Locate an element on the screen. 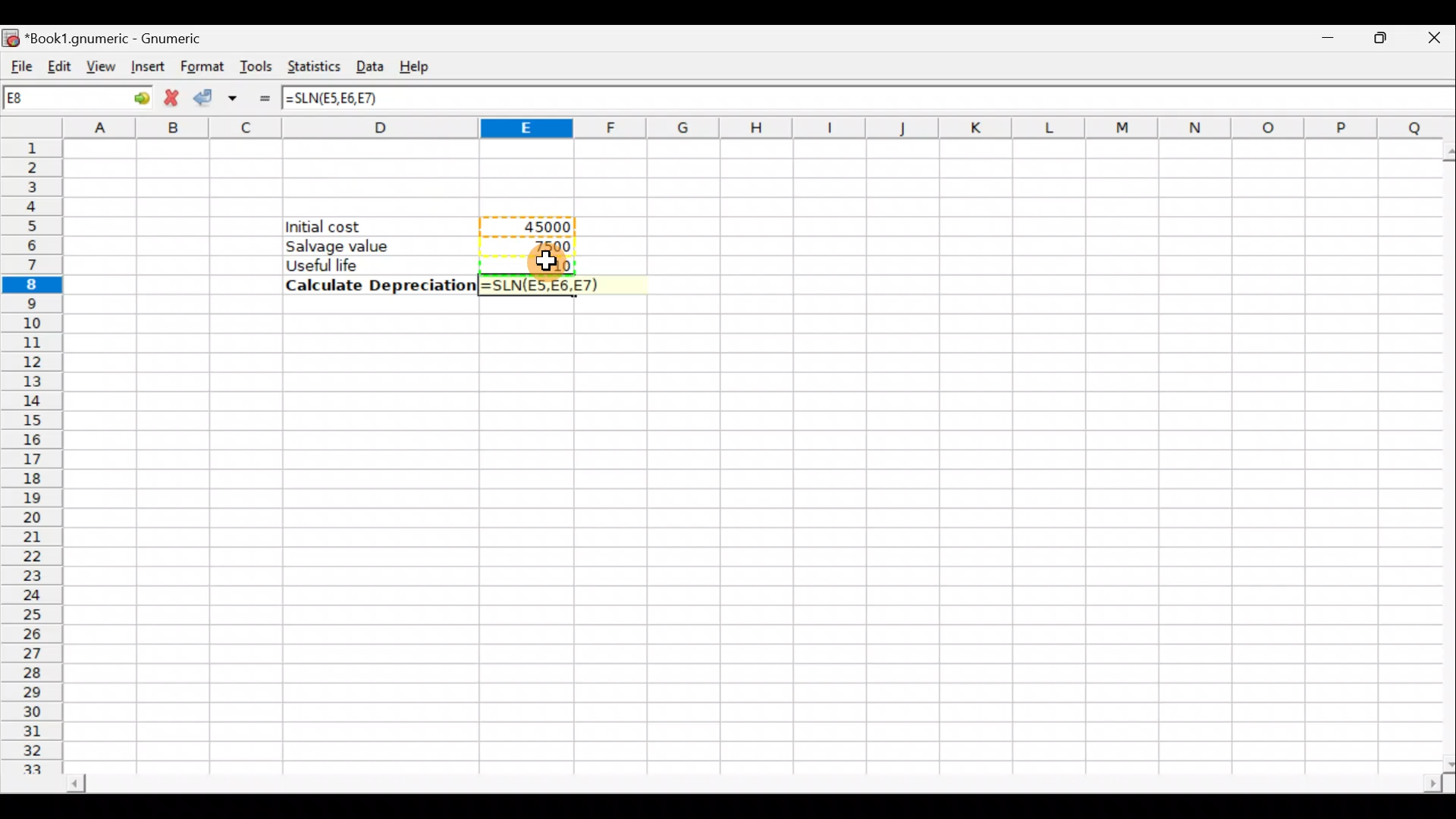 This screenshot has width=1456, height=819. Columns is located at coordinates (752, 128).